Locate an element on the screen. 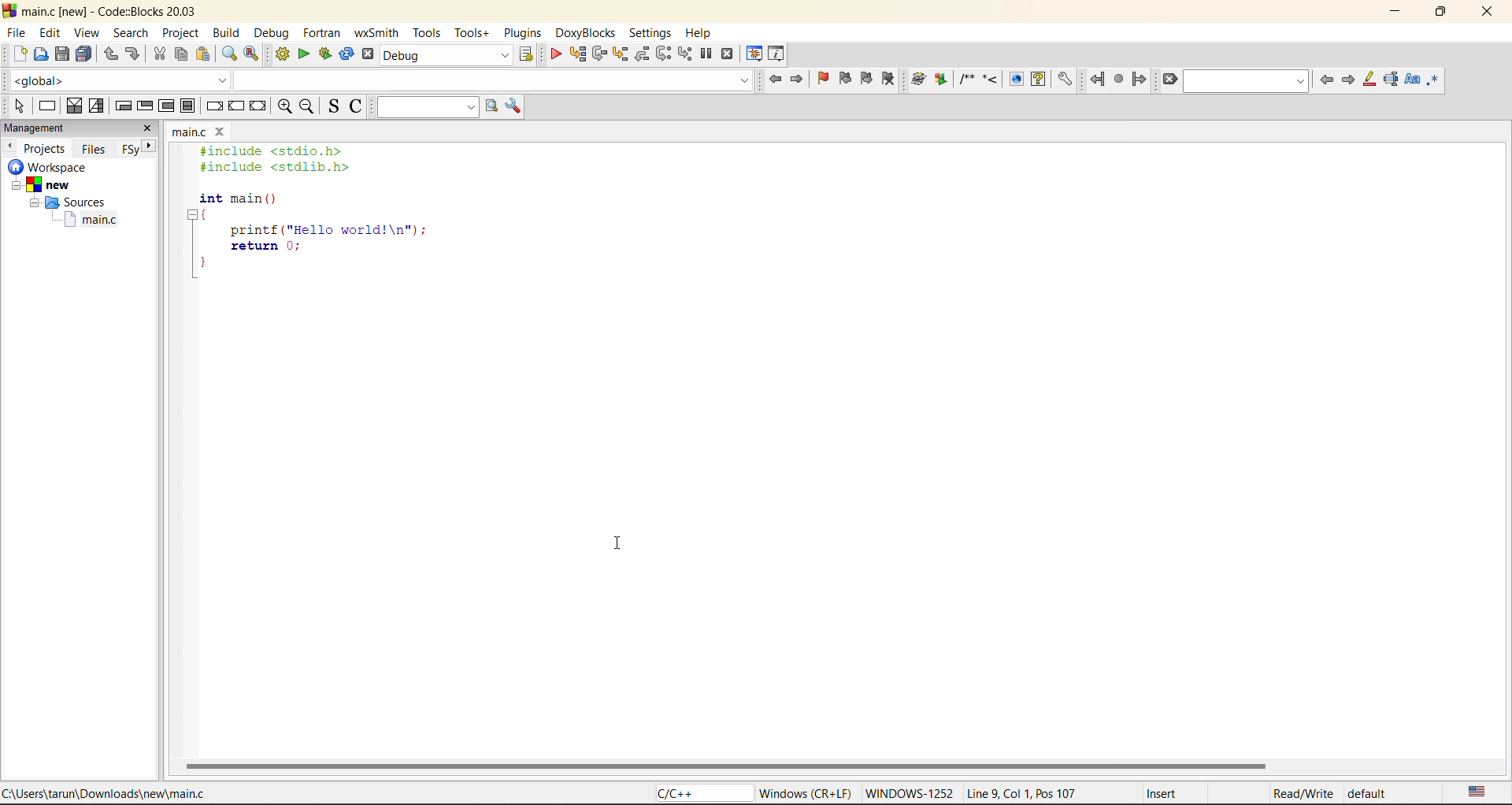 This screenshot has height=805, width=1512. minimize is located at coordinates (1393, 13).